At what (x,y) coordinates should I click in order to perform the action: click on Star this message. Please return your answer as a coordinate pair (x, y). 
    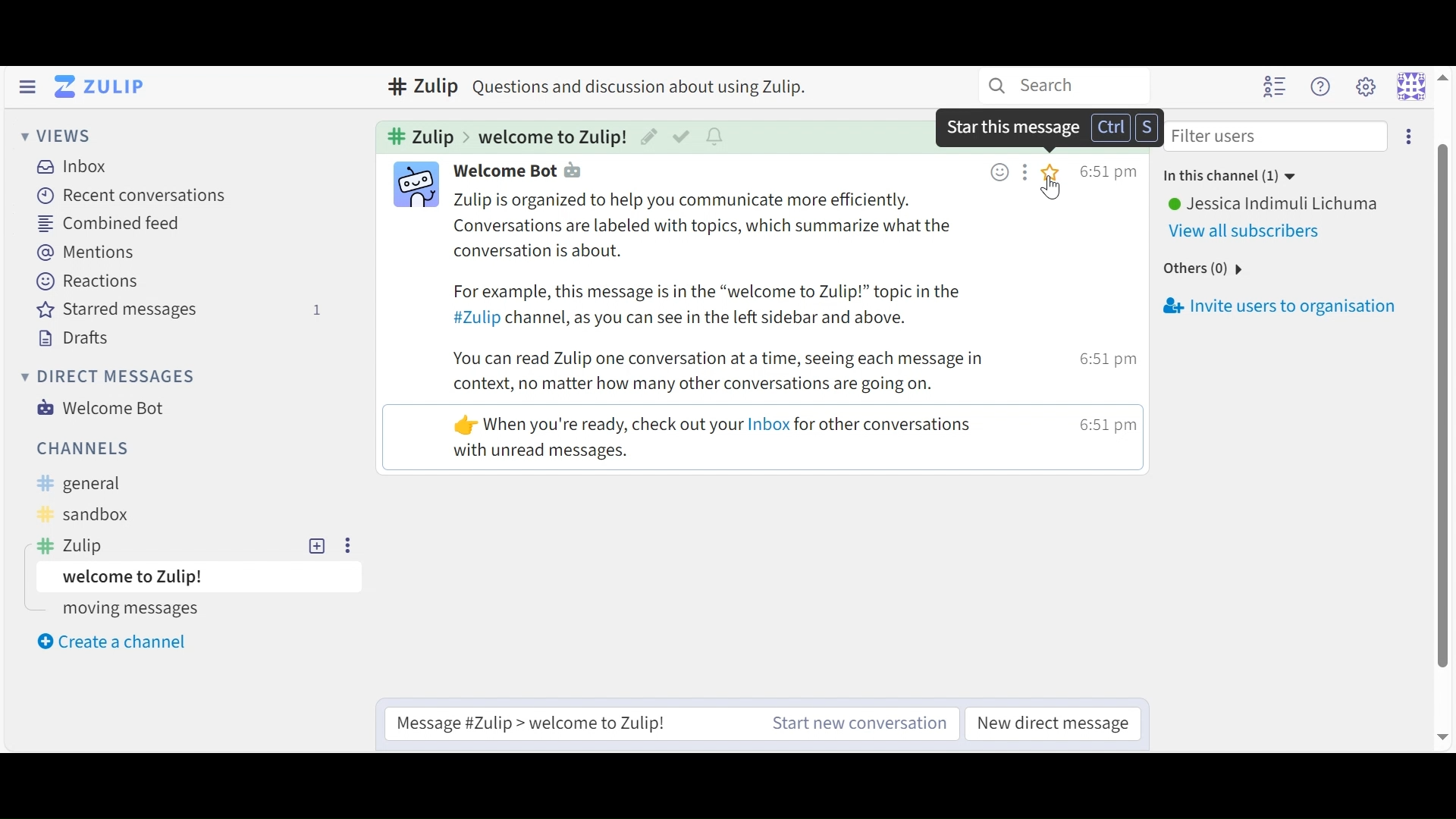
    Looking at the image, I should click on (1053, 170).